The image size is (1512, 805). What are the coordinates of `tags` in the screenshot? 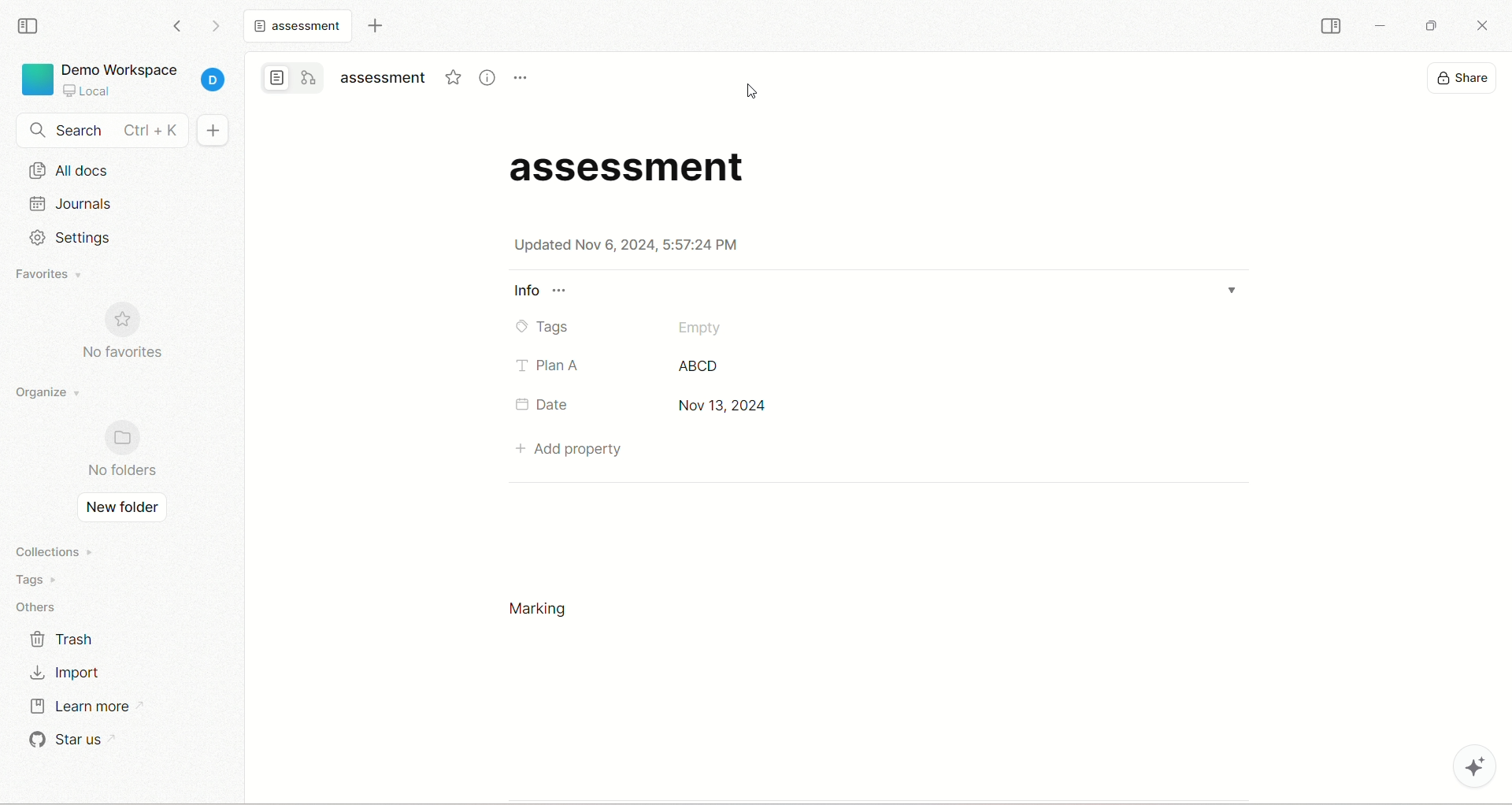 It's located at (542, 328).